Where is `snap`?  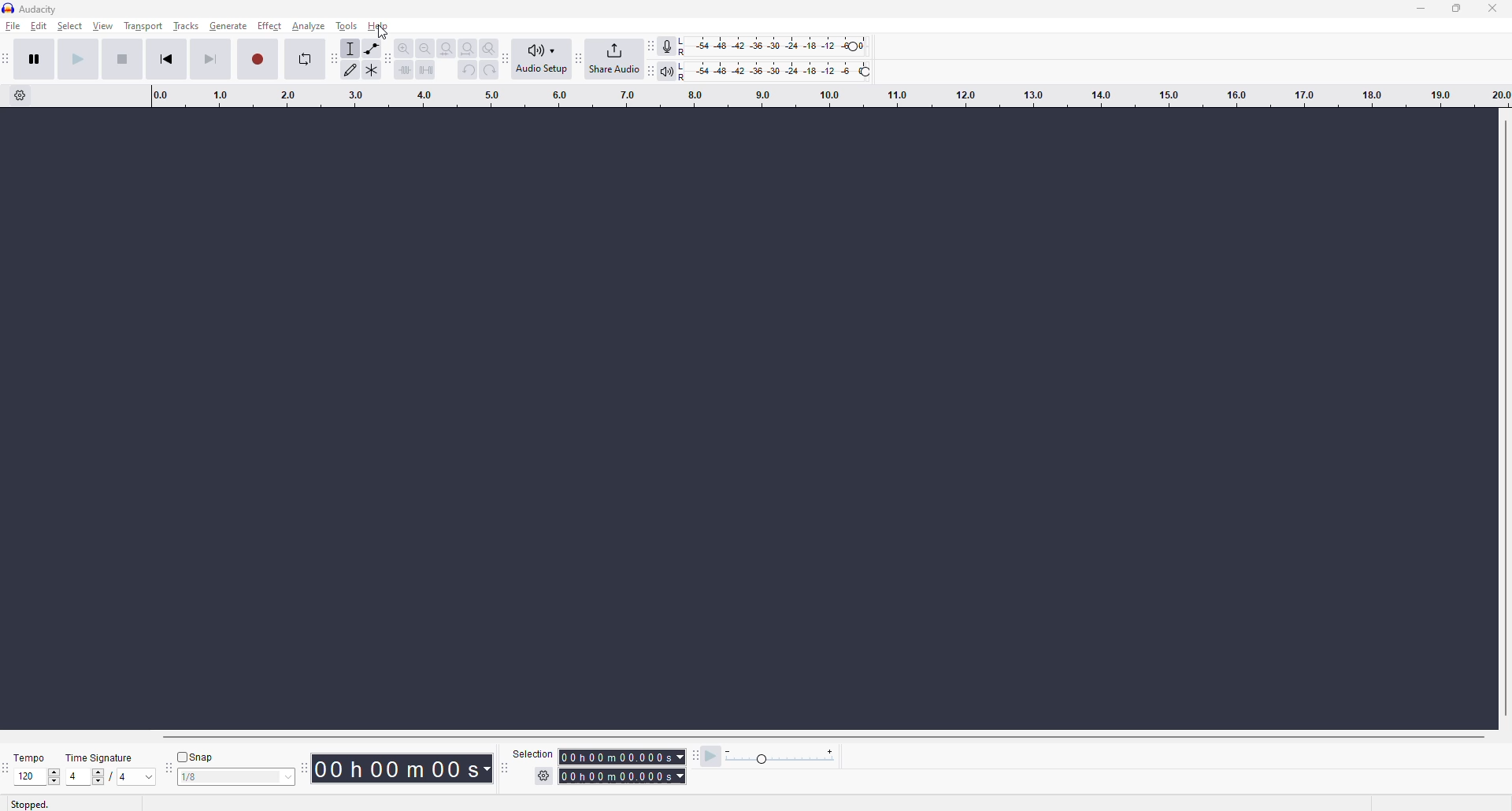 snap is located at coordinates (191, 755).